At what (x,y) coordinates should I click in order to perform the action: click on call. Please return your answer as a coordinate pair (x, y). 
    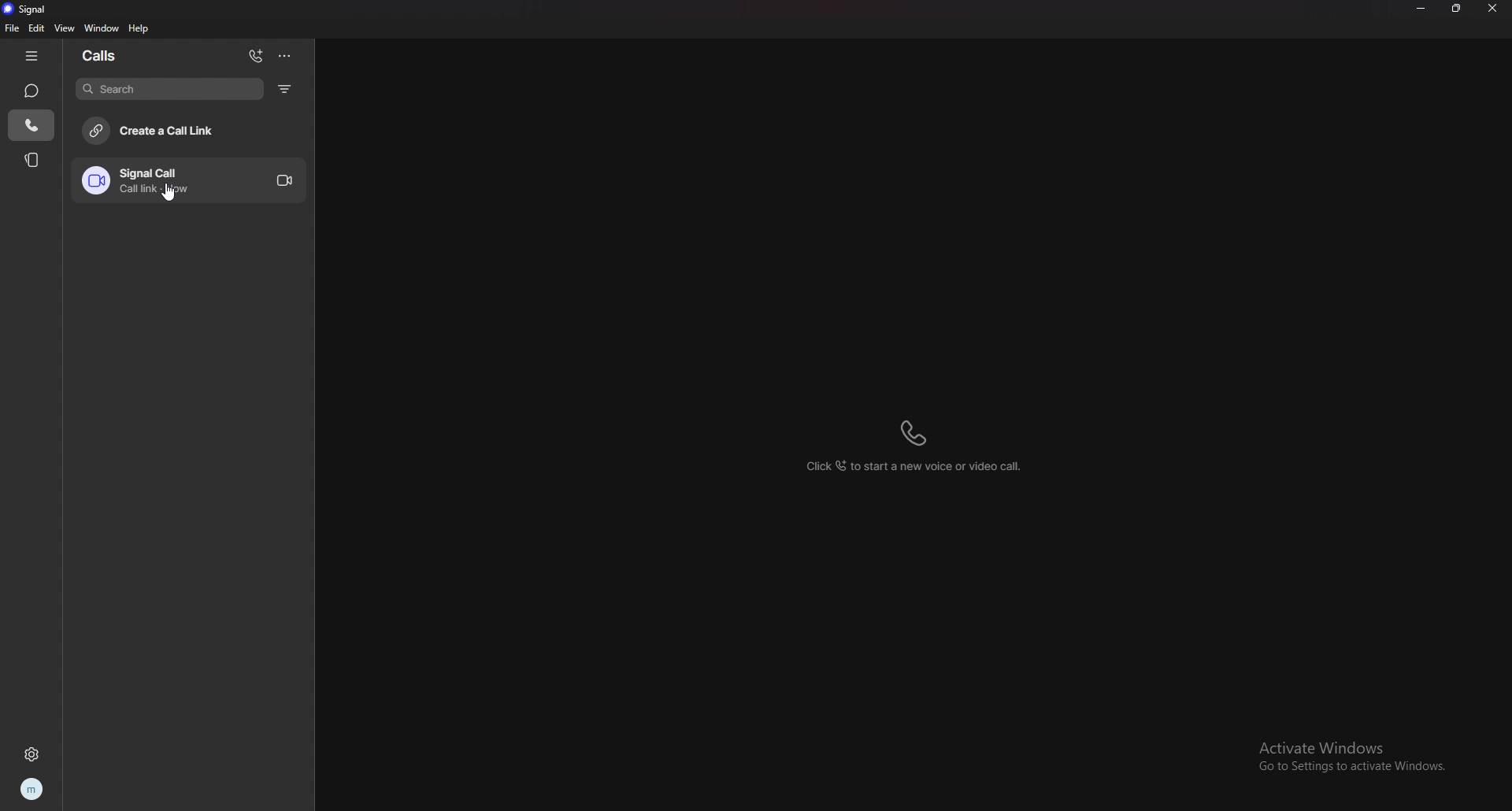
    Looking at the image, I should click on (195, 180).